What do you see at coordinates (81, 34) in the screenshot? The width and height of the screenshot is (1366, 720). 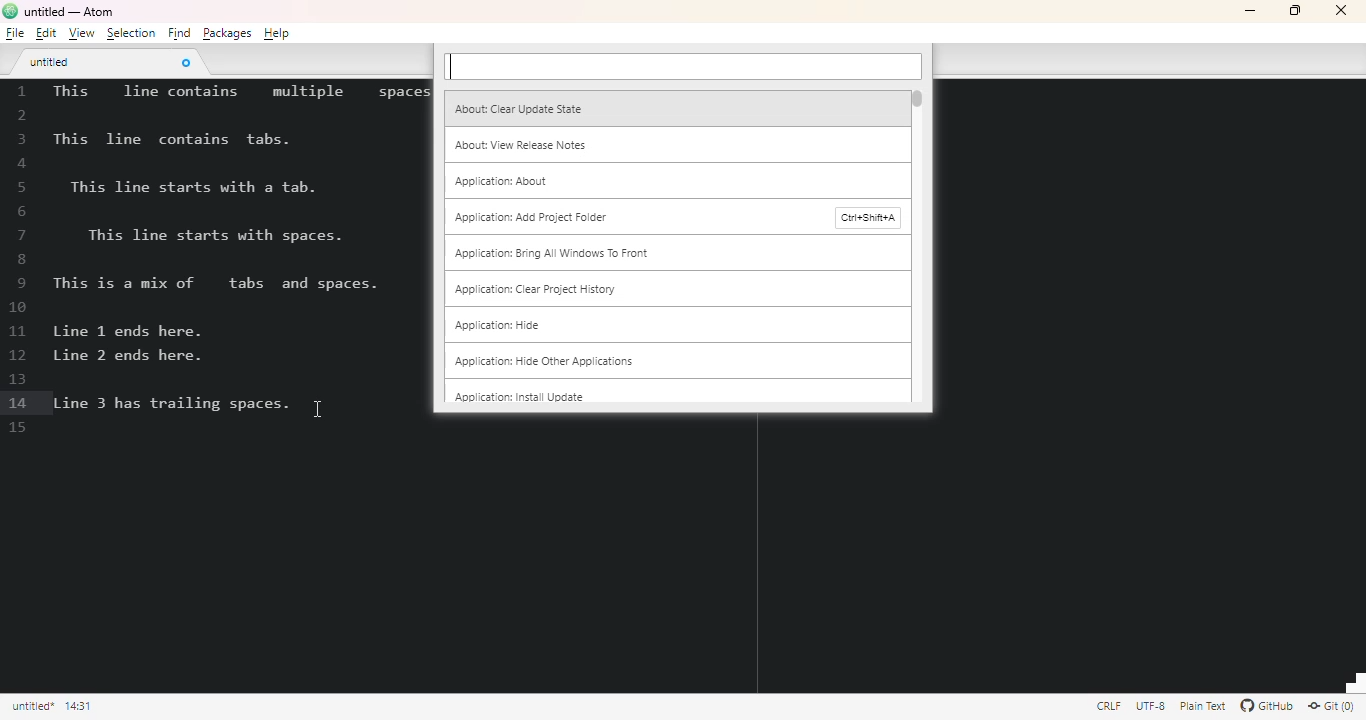 I see `view` at bounding box center [81, 34].